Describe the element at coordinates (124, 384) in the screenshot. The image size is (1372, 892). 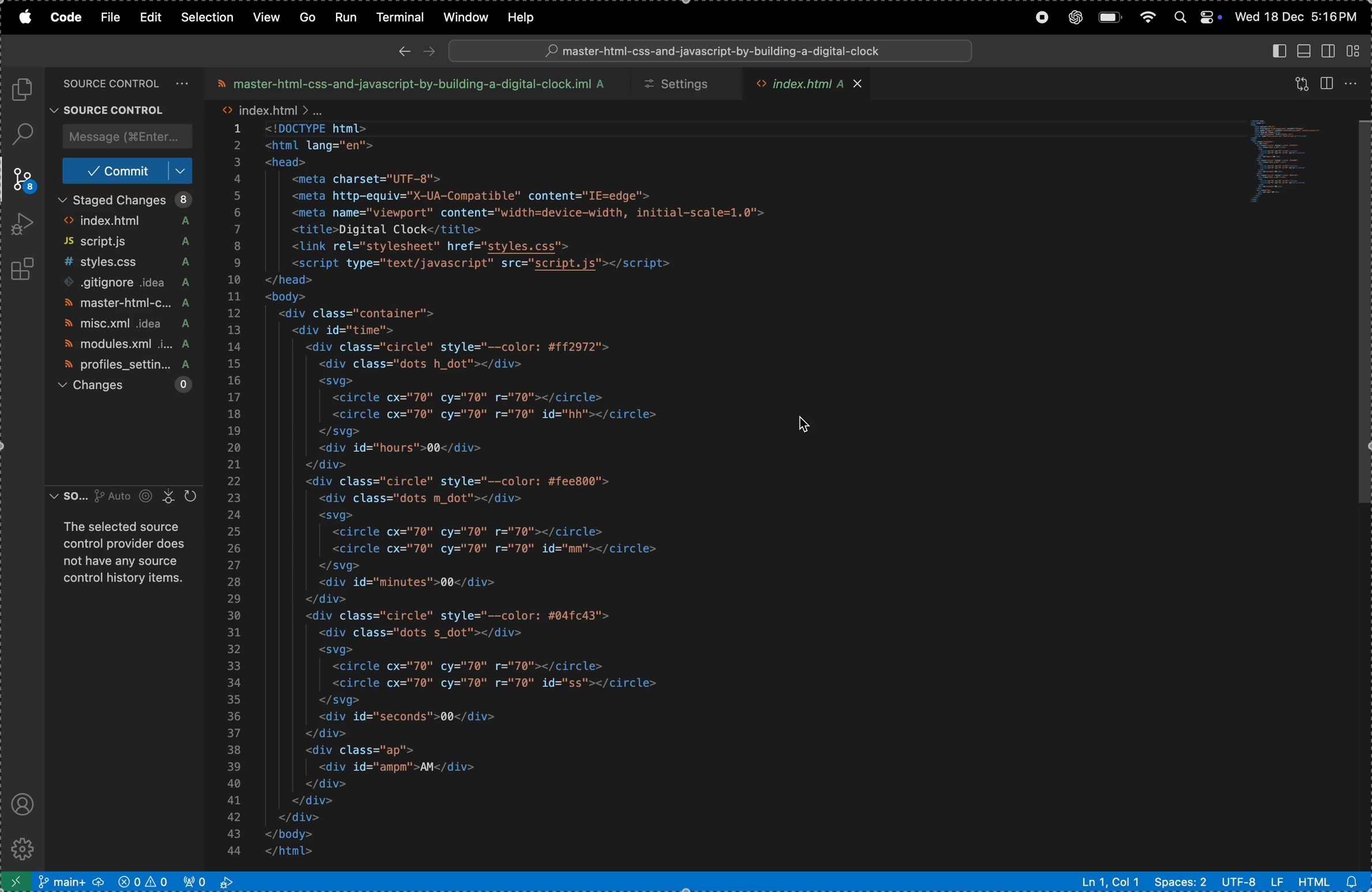
I see `changes` at that location.